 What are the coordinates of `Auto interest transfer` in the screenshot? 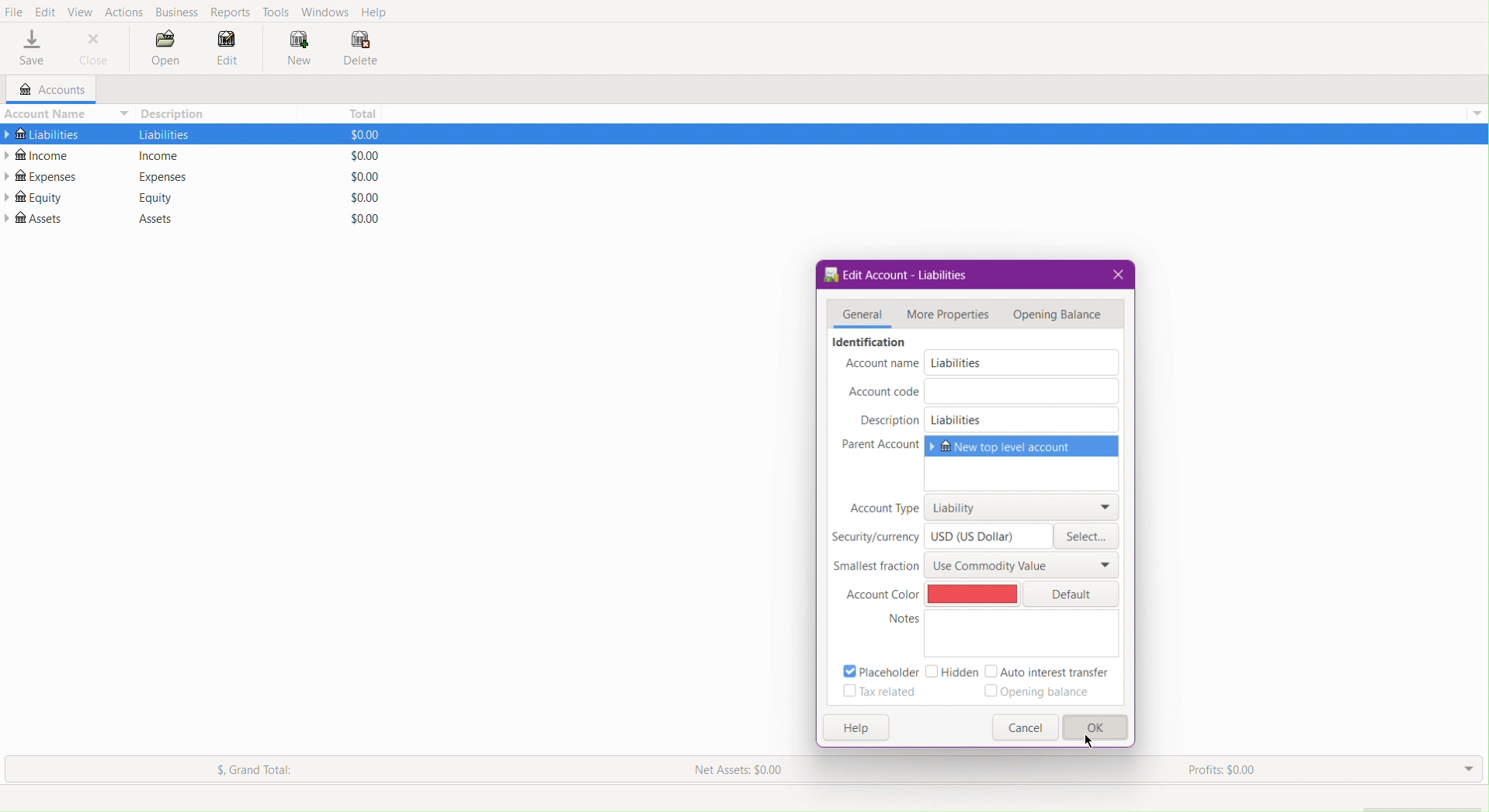 It's located at (1049, 674).